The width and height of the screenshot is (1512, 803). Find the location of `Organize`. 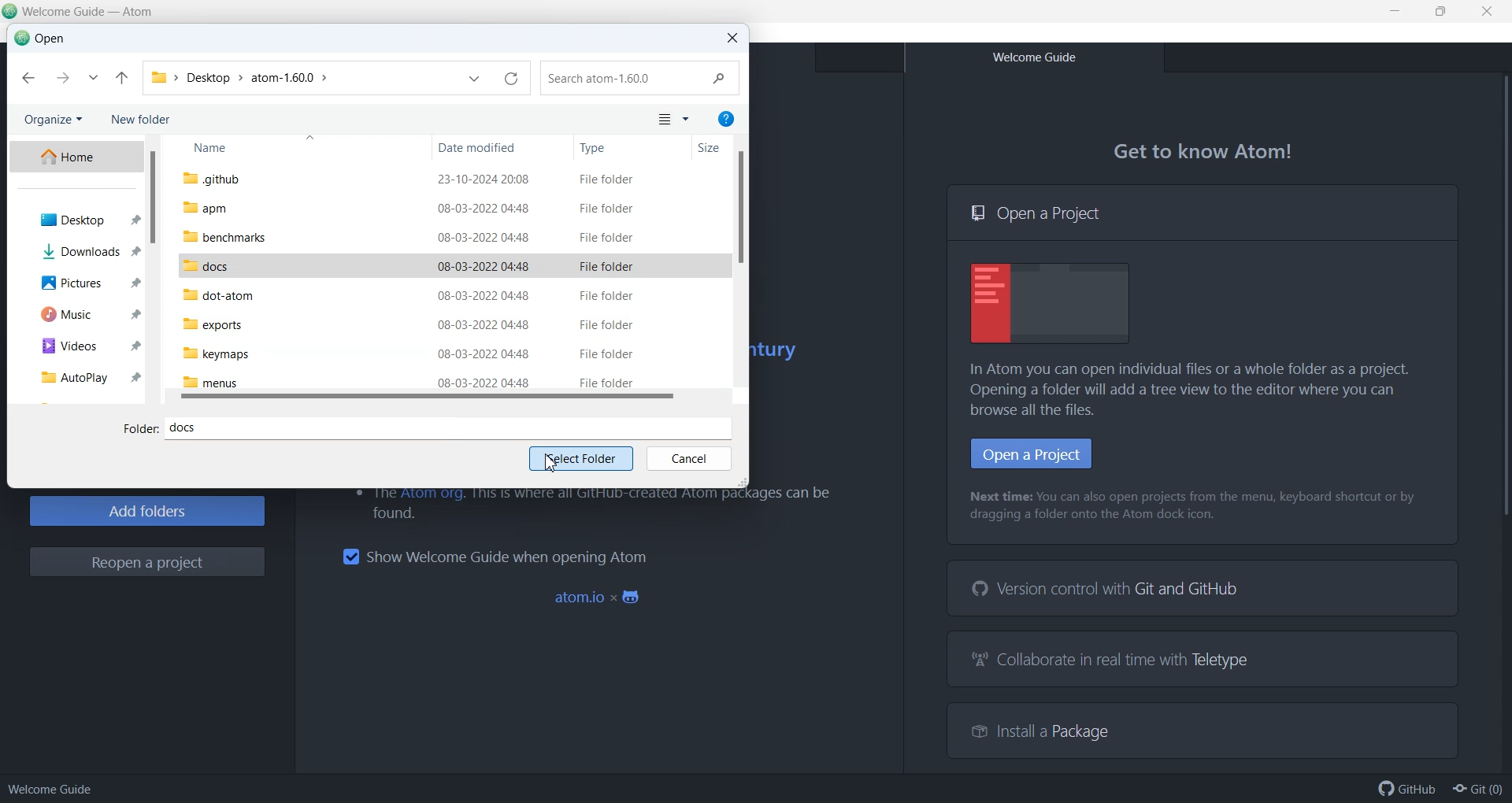

Organize is located at coordinates (52, 120).